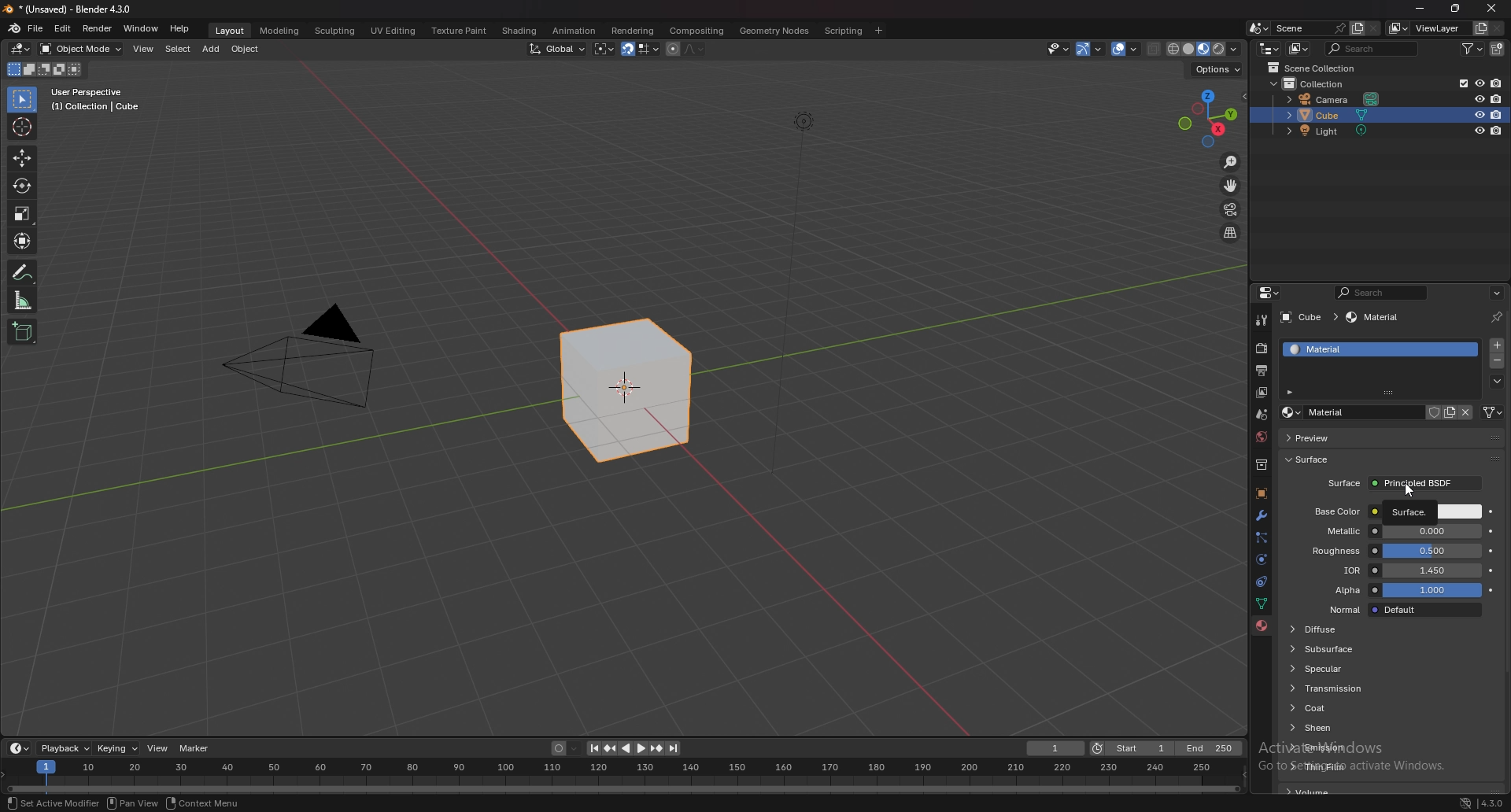 The height and width of the screenshot is (812, 1511). Describe the element at coordinates (1498, 345) in the screenshot. I see `add material` at that location.